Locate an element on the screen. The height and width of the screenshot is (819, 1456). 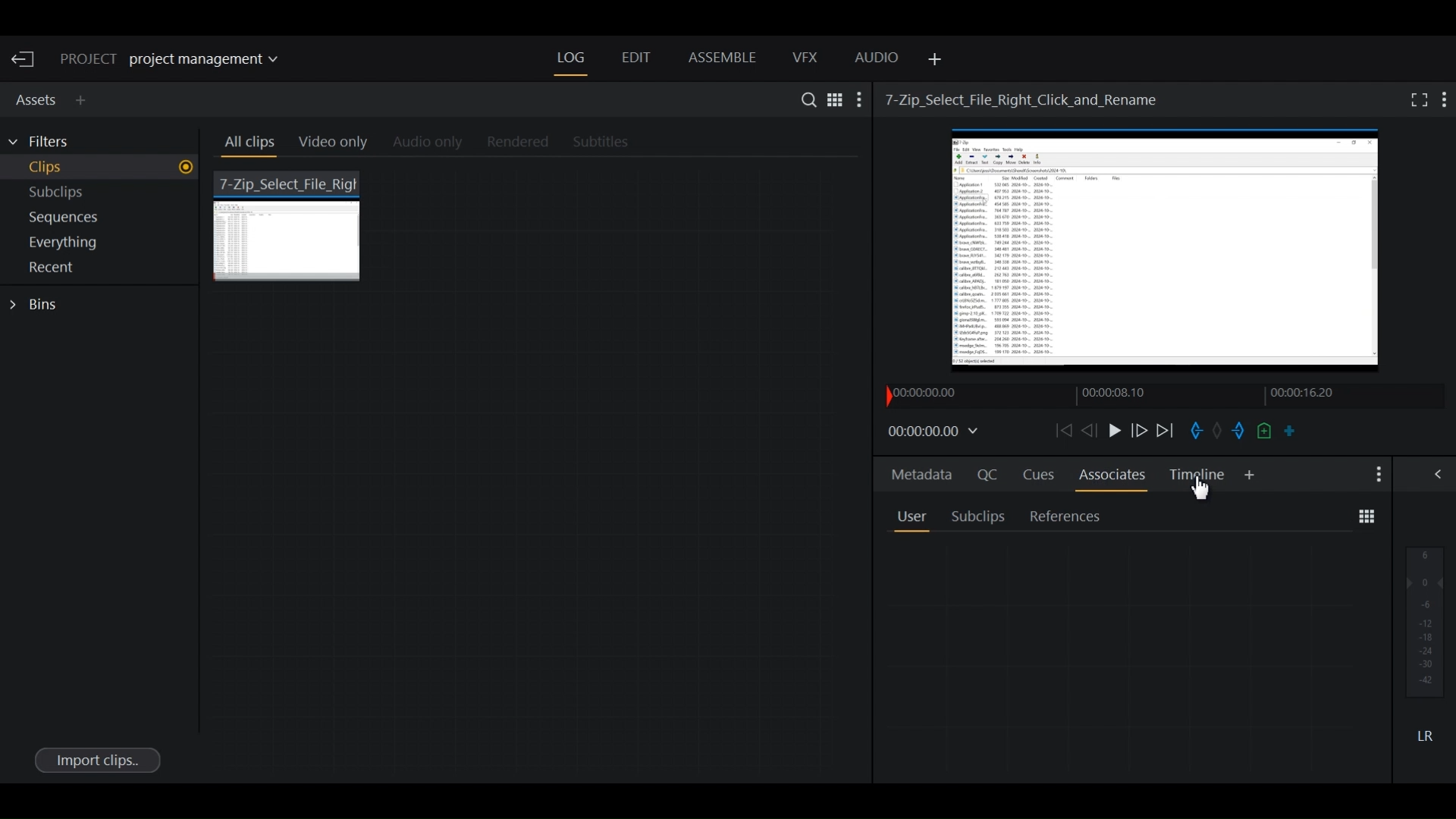
Subtitles is located at coordinates (610, 143).